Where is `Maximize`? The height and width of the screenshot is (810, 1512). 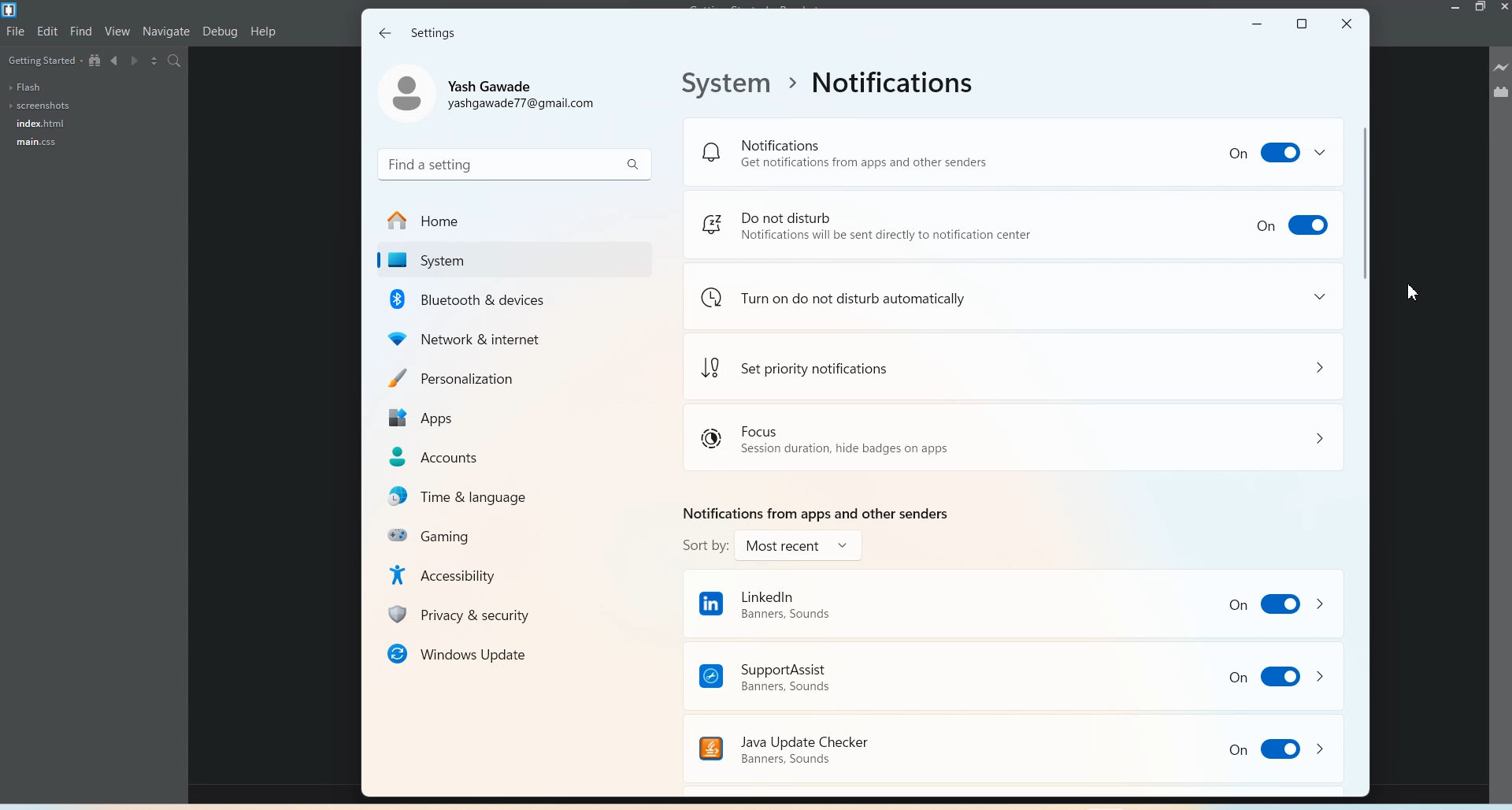 Maximize is located at coordinates (1303, 21).